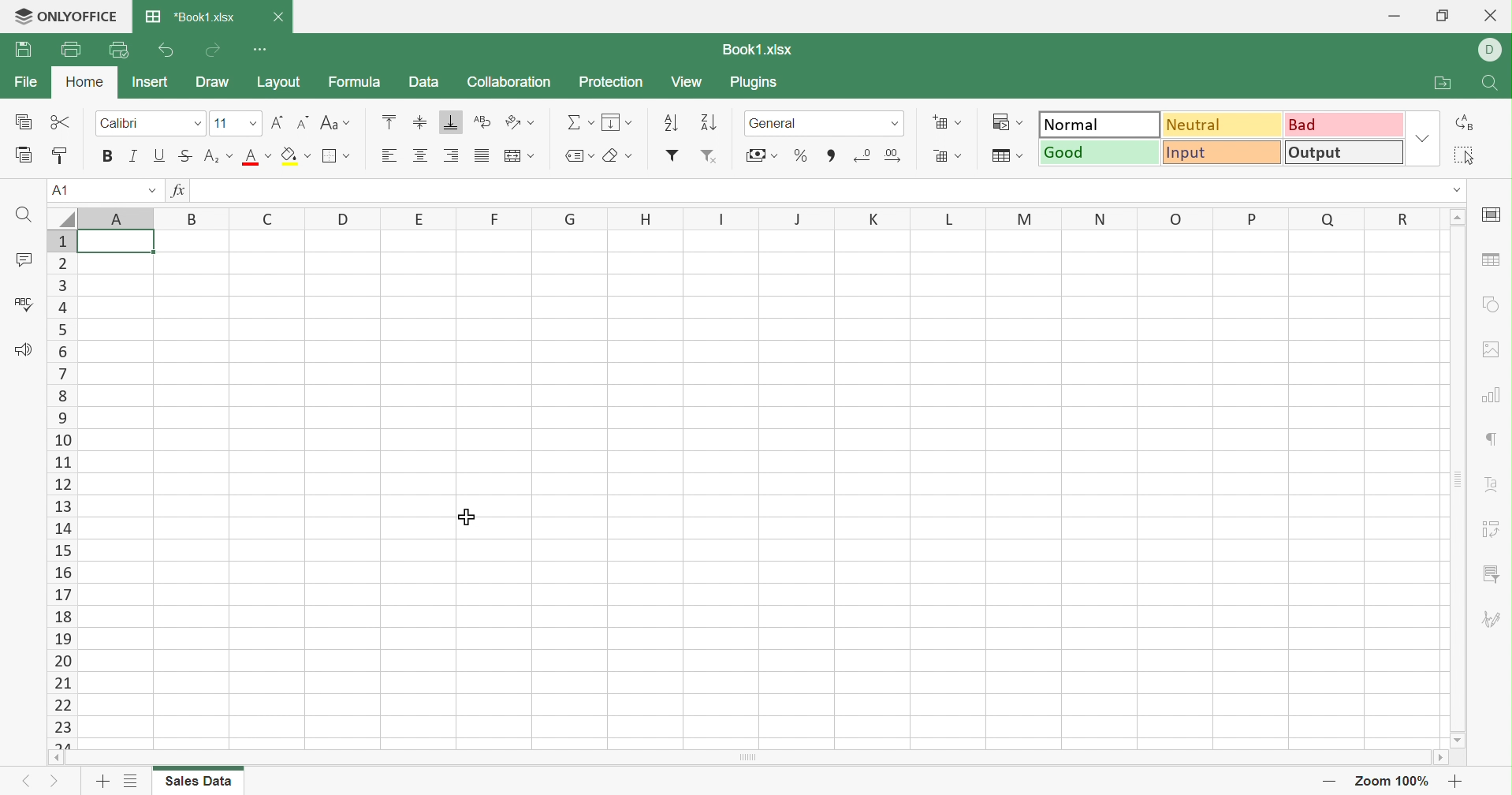 The image size is (1512, 795). Describe the element at coordinates (579, 118) in the screenshot. I see `Summation` at that location.